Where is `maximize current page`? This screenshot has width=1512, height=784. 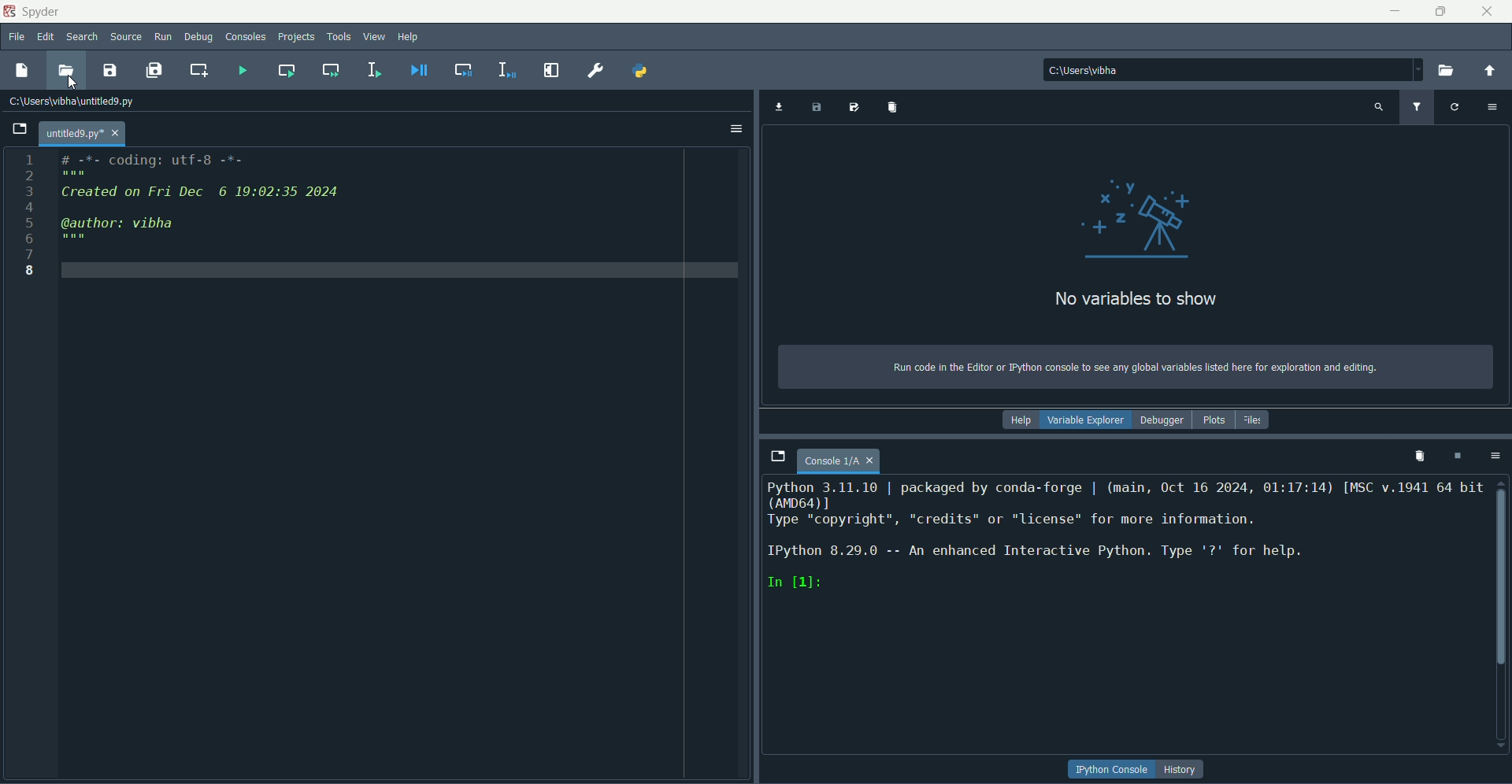 maximize current page is located at coordinates (550, 70).